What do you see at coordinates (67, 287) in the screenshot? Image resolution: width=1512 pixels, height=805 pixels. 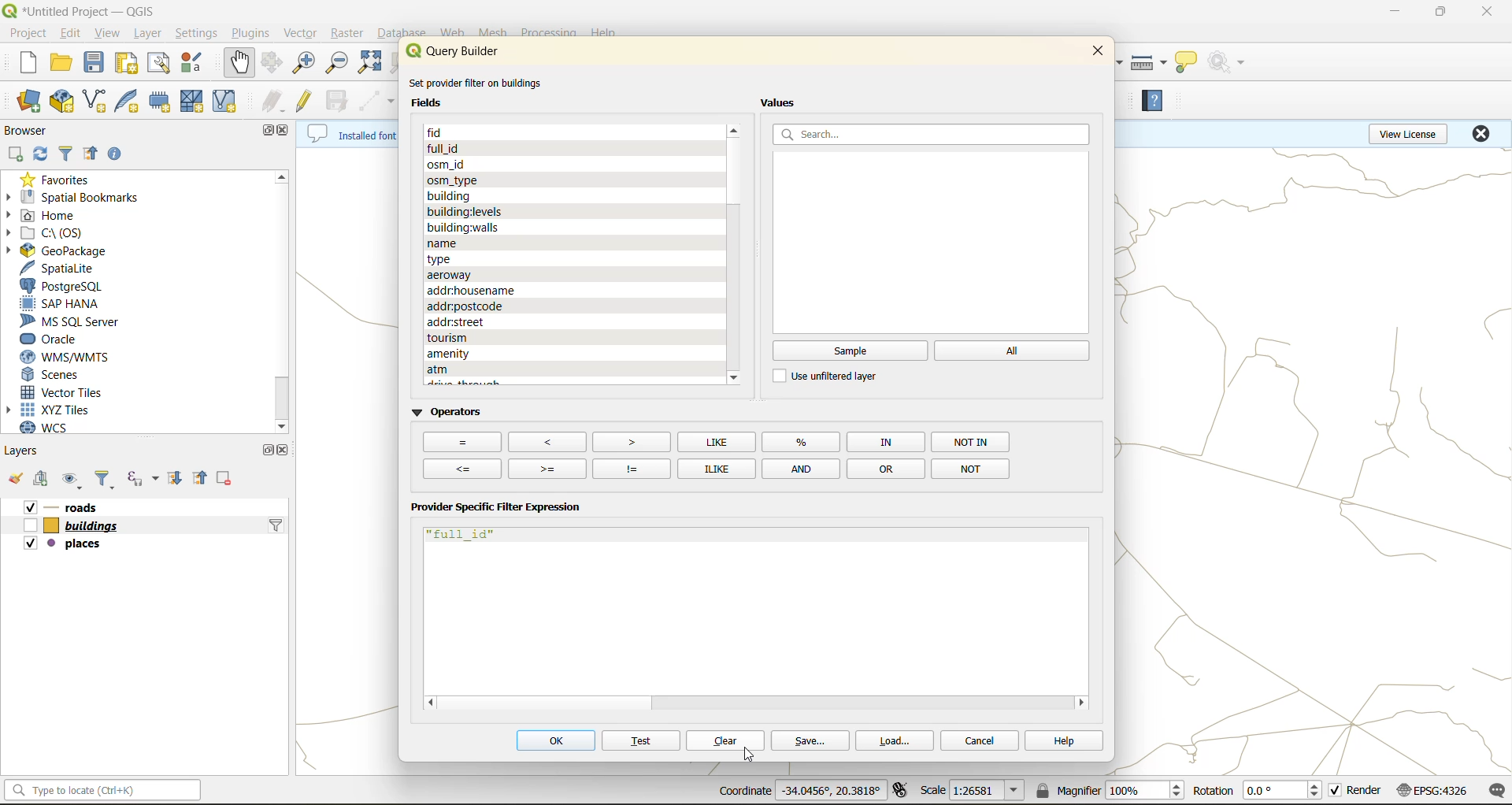 I see `postgresql` at bounding box center [67, 287].